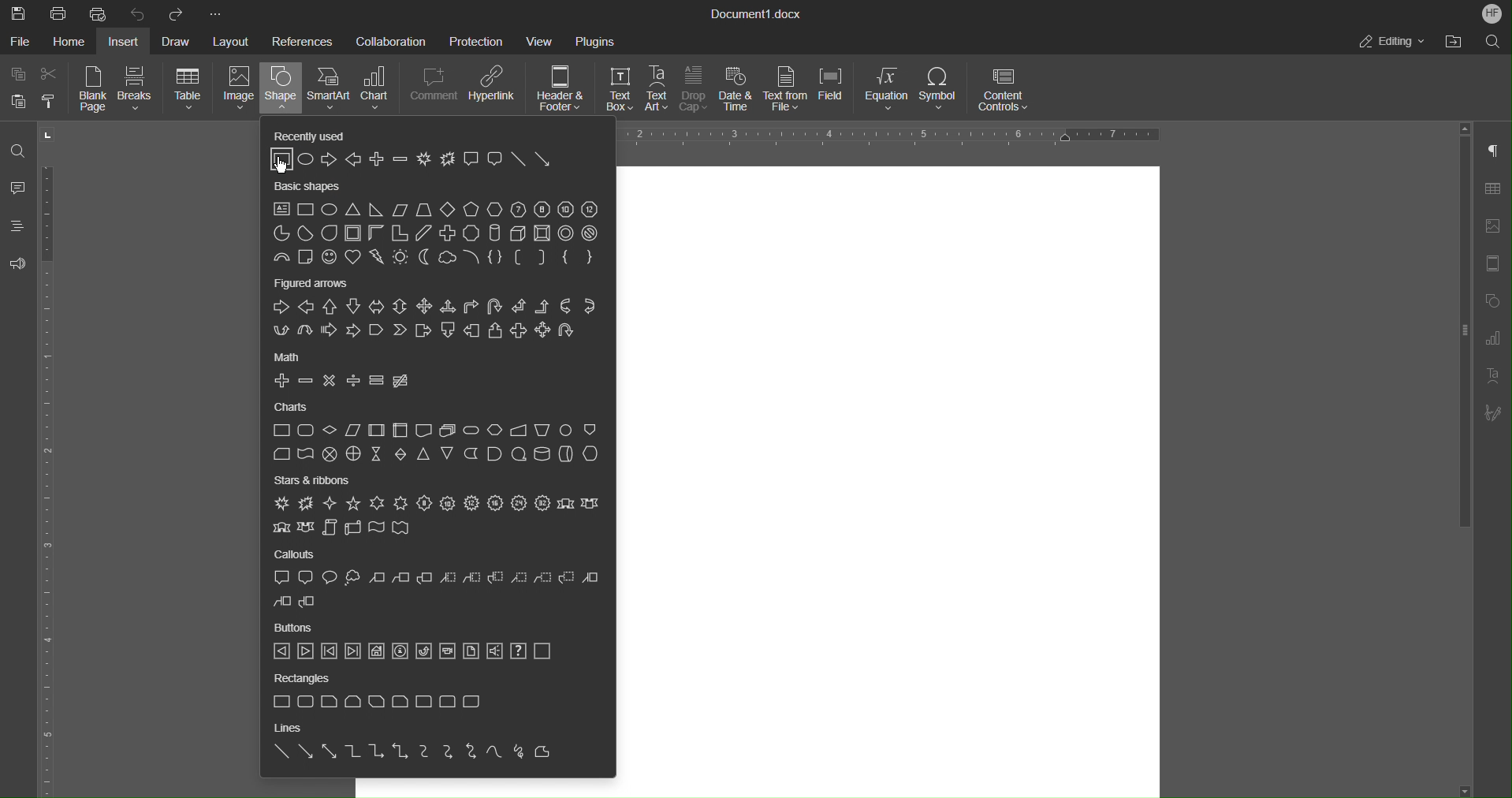  What do you see at coordinates (293, 356) in the screenshot?
I see `Math` at bounding box center [293, 356].